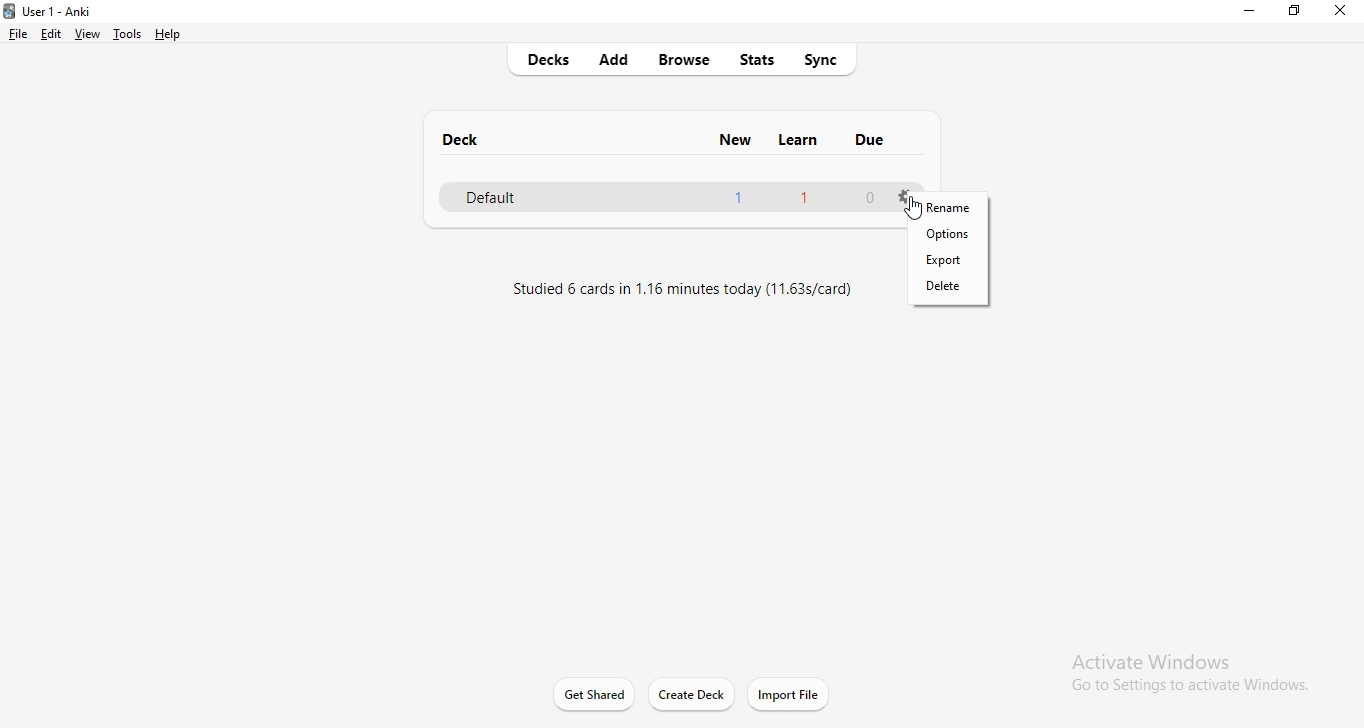 The image size is (1364, 728). What do you see at coordinates (664, 197) in the screenshot?
I see `default` at bounding box center [664, 197].